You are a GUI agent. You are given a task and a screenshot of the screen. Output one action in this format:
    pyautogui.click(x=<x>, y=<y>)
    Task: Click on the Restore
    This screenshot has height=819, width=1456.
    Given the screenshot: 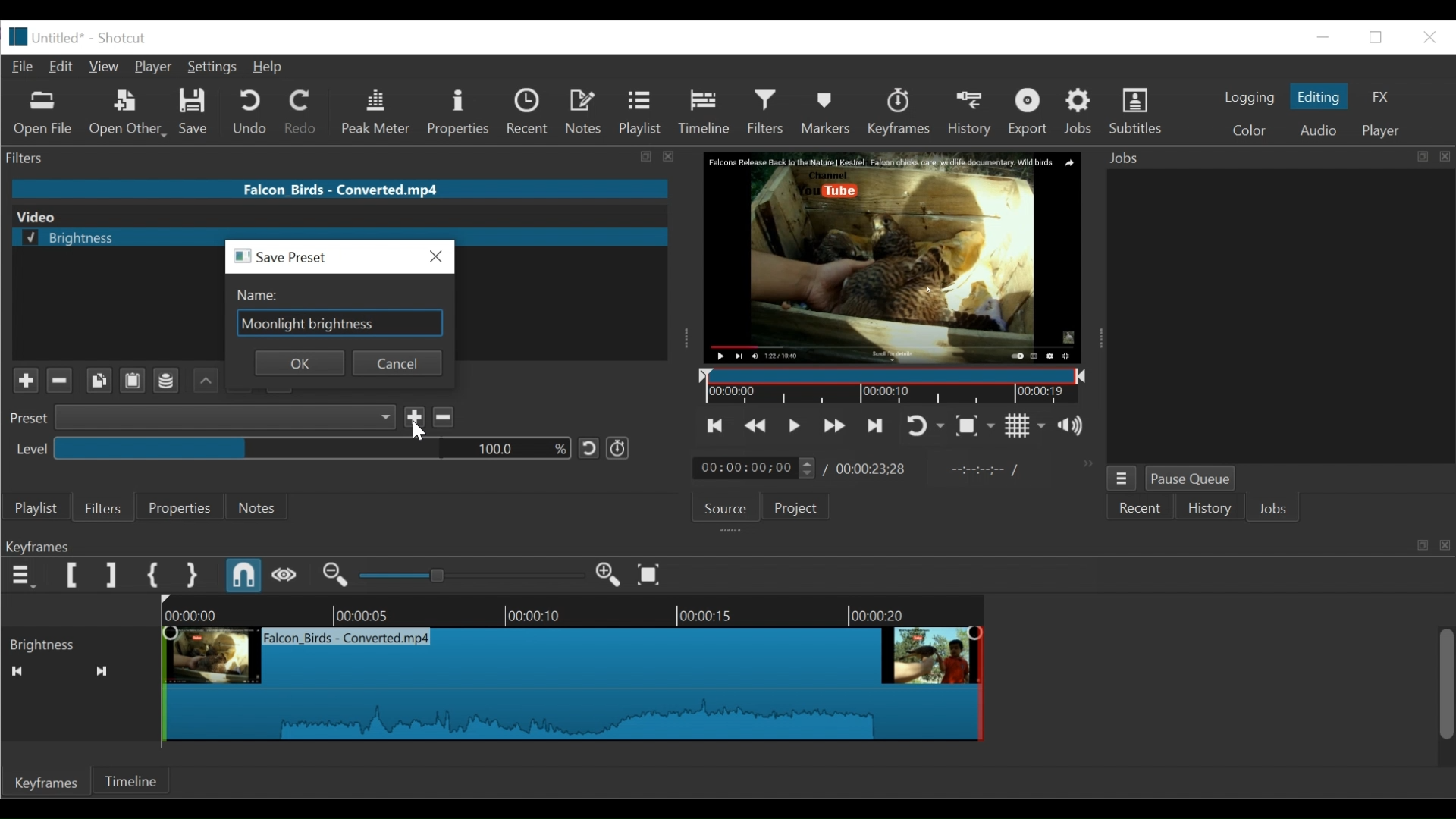 What is the action you would take?
    pyautogui.click(x=1325, y=35)
    